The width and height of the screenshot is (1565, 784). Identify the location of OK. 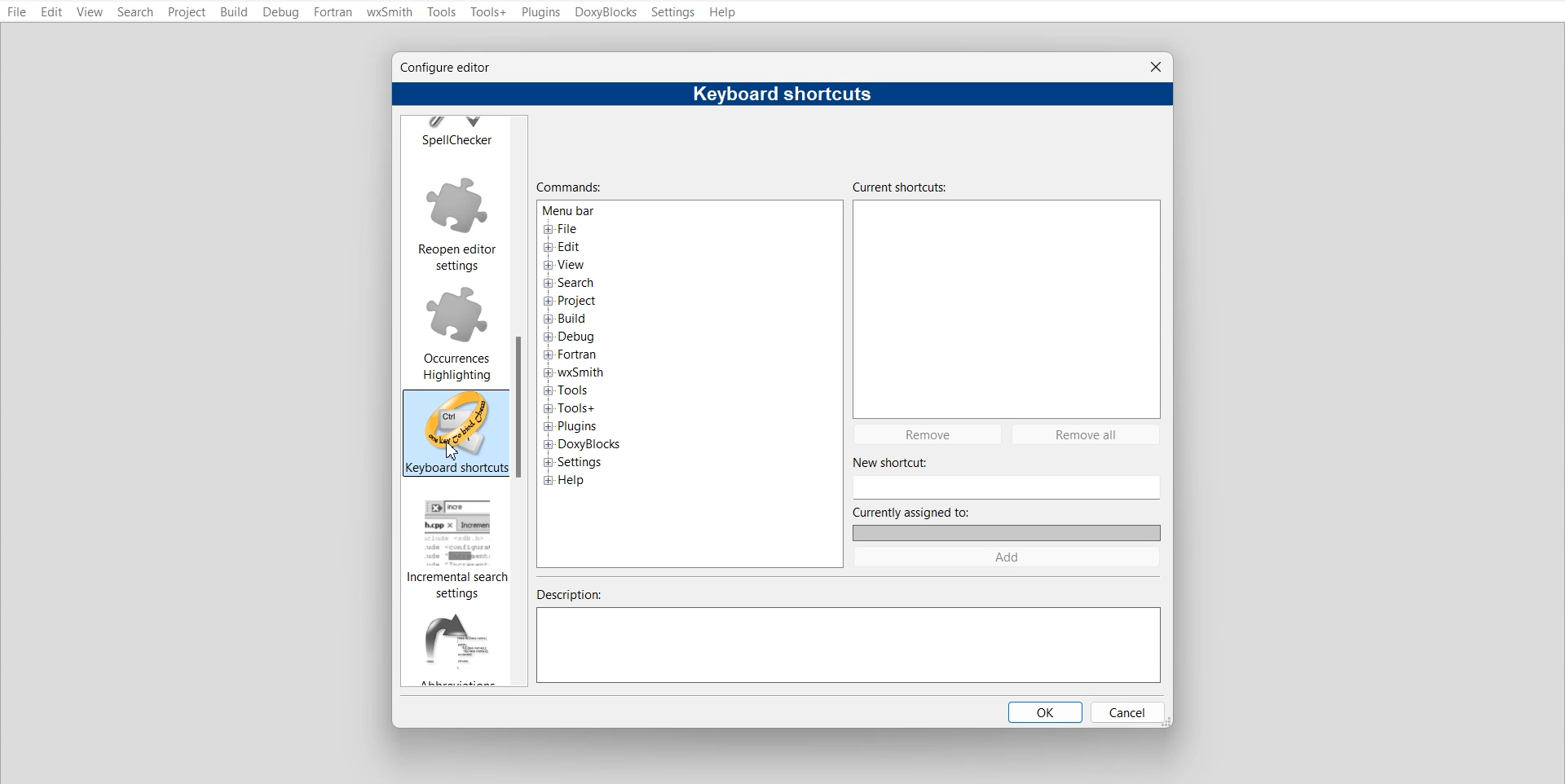
(1043, 711).